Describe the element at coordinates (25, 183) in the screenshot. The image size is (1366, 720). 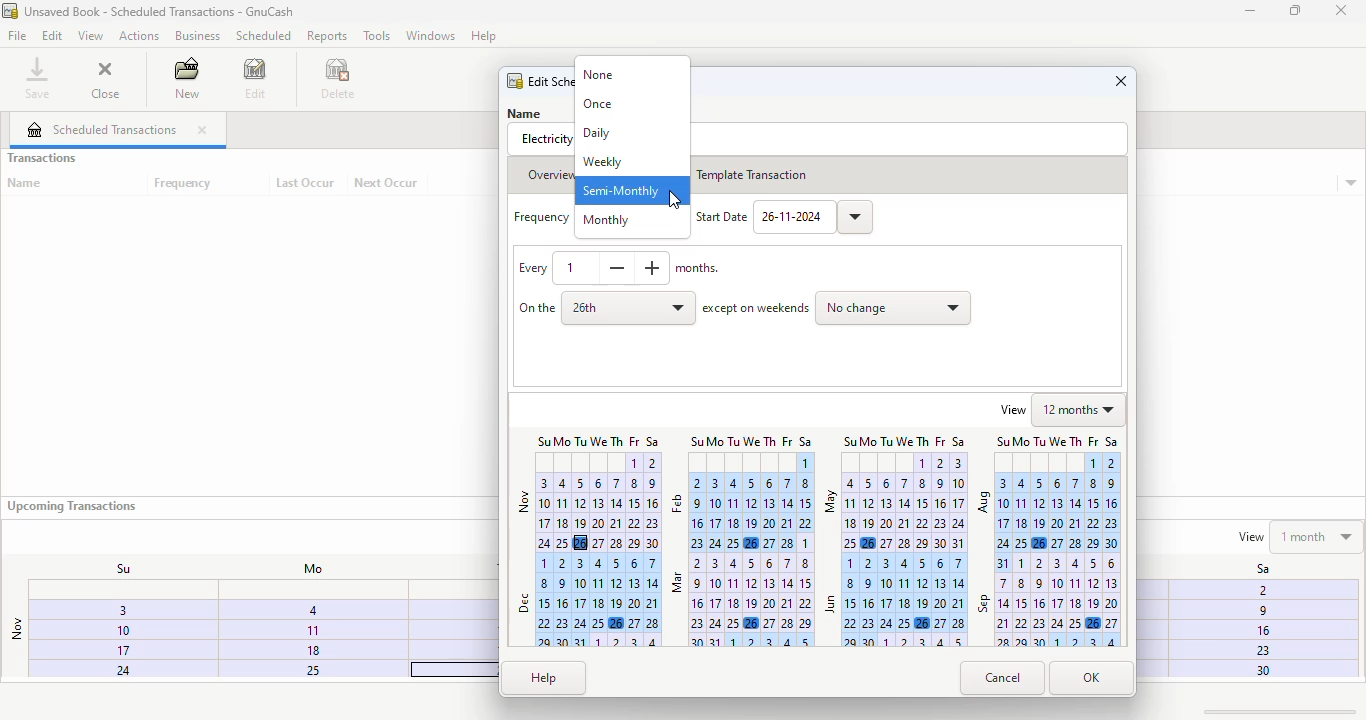
I see `name` at that location.